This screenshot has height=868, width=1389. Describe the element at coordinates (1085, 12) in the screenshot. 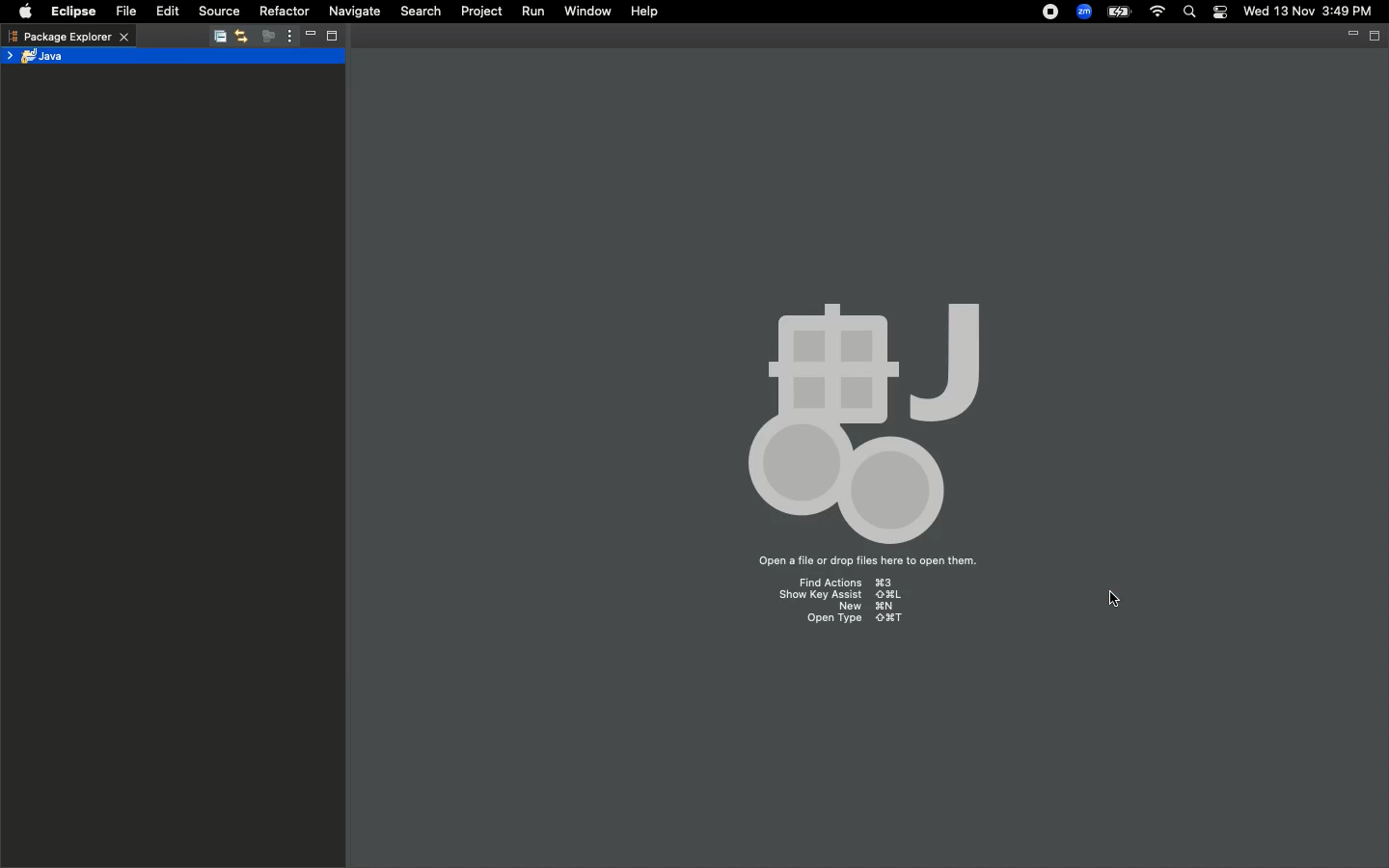

I see `Zoom` at that location.